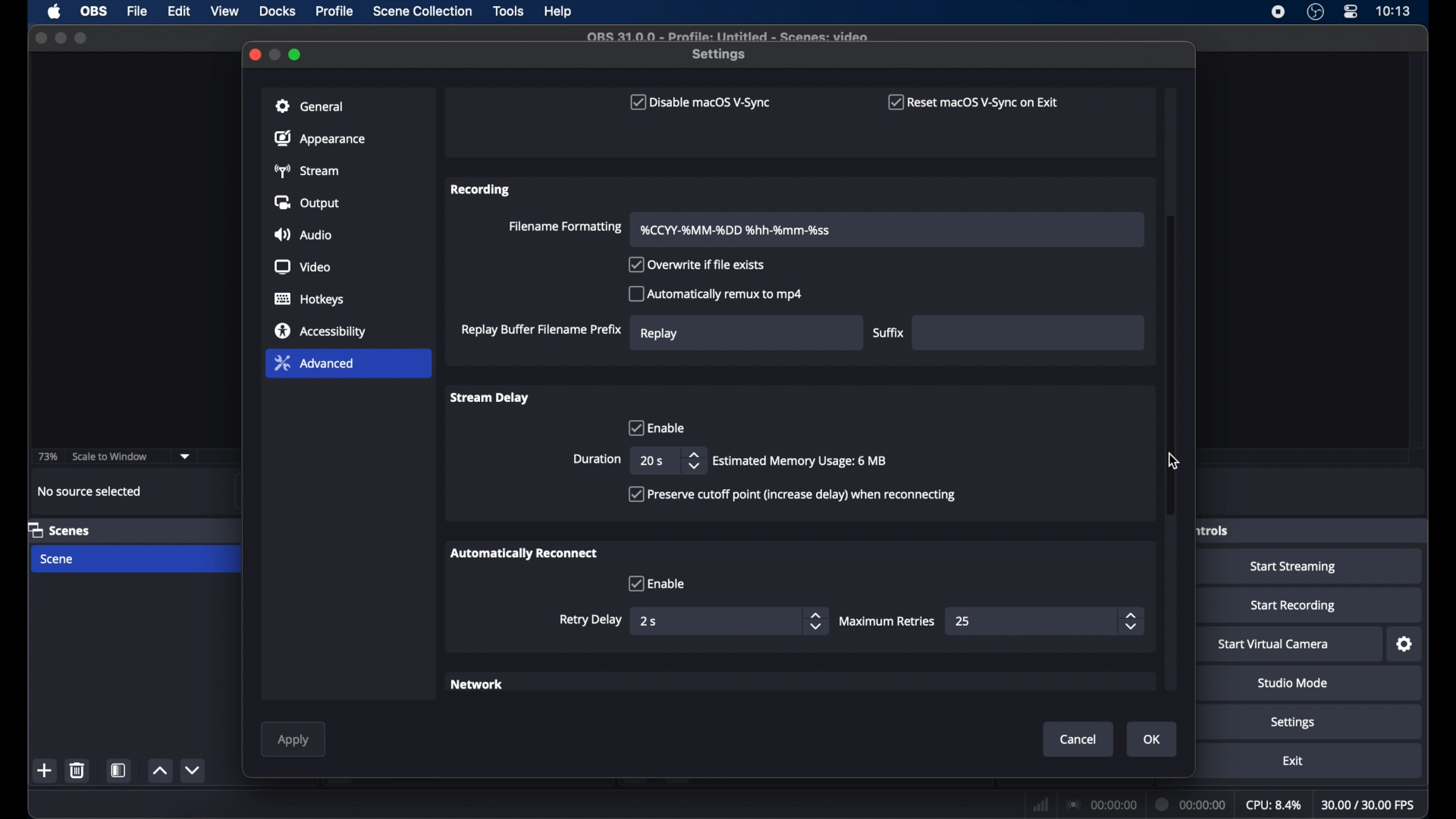 The image size is (1456, 819). What do you see at coordinates (1100, 804) in the screenshot?
I see `connection` at bounding box center [1100, 804].